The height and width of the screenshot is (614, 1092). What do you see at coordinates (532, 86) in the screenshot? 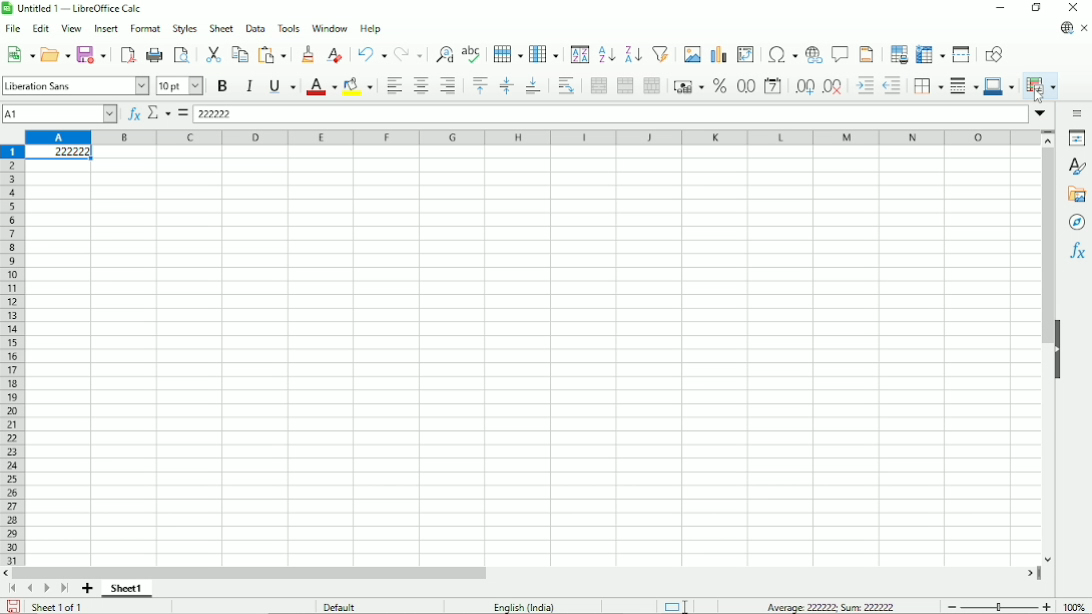
I see `Align bottom` at bounding box center [532, 86].